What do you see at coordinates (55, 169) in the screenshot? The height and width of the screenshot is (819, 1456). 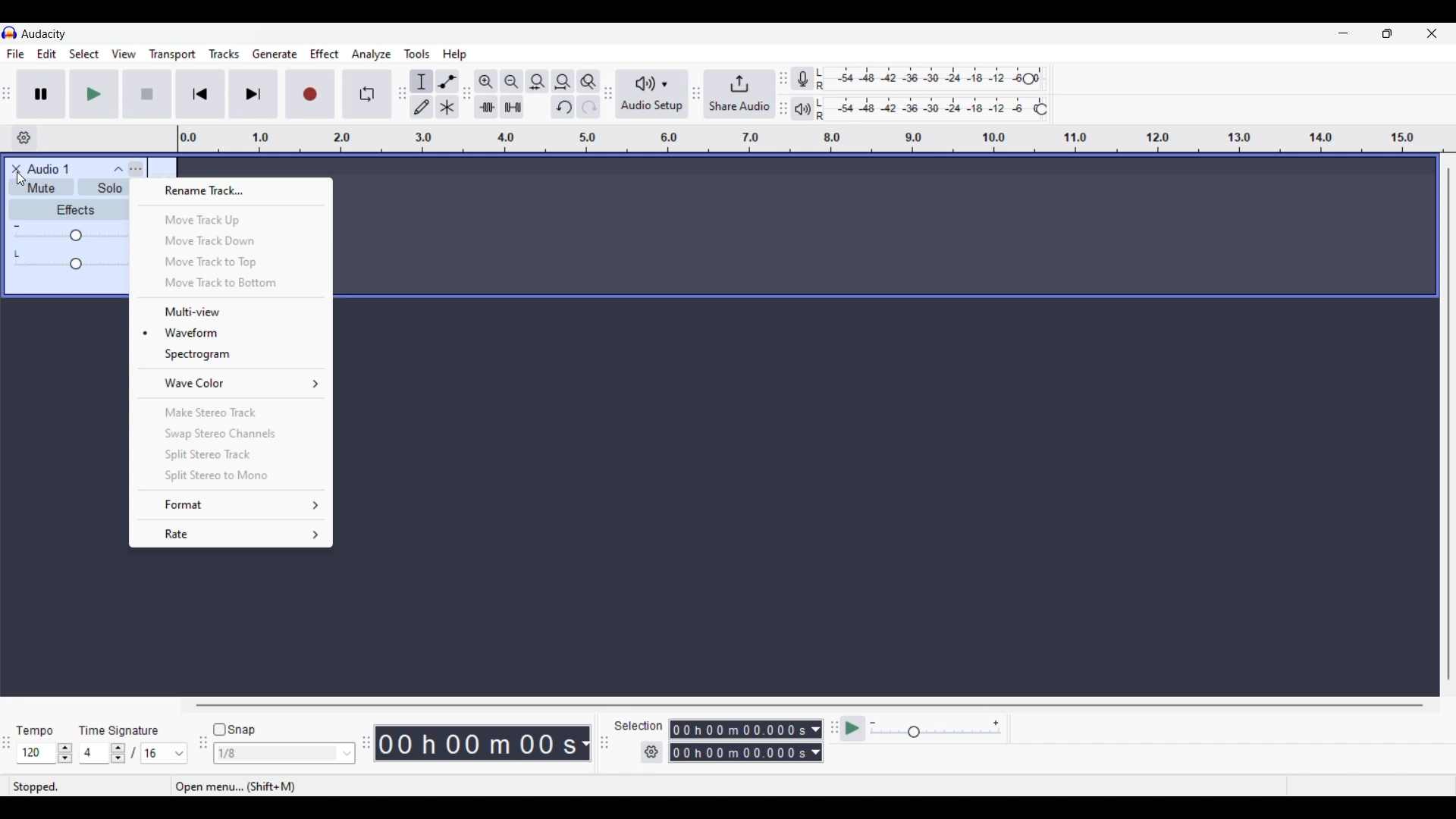 I see `Audio 1` at bounding box center [55, 169].